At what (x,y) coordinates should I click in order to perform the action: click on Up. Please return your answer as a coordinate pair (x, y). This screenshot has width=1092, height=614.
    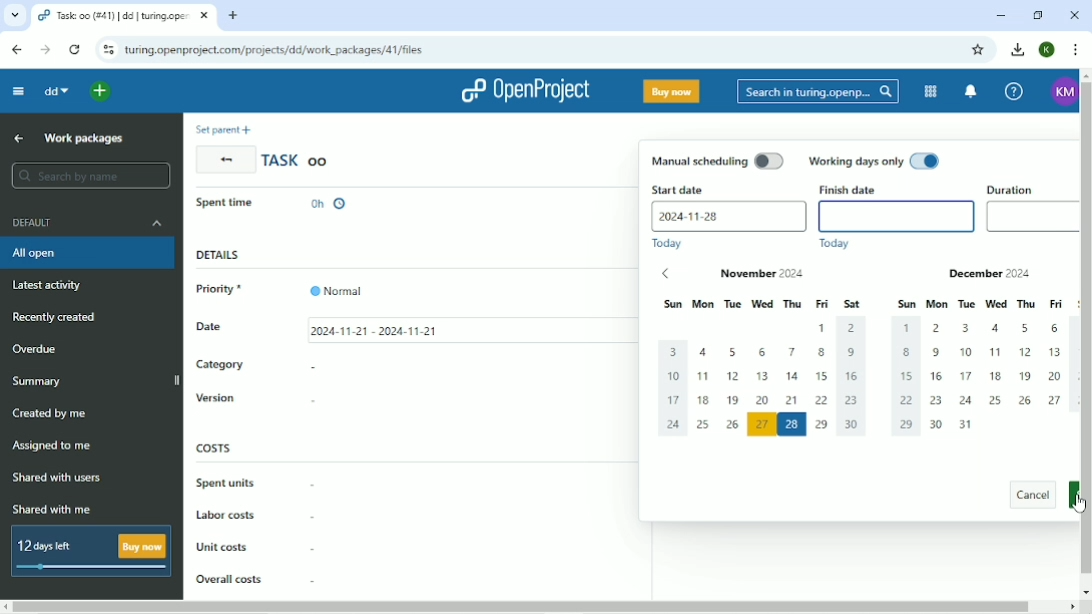
    Looking at the image, I should click on (19, 139).